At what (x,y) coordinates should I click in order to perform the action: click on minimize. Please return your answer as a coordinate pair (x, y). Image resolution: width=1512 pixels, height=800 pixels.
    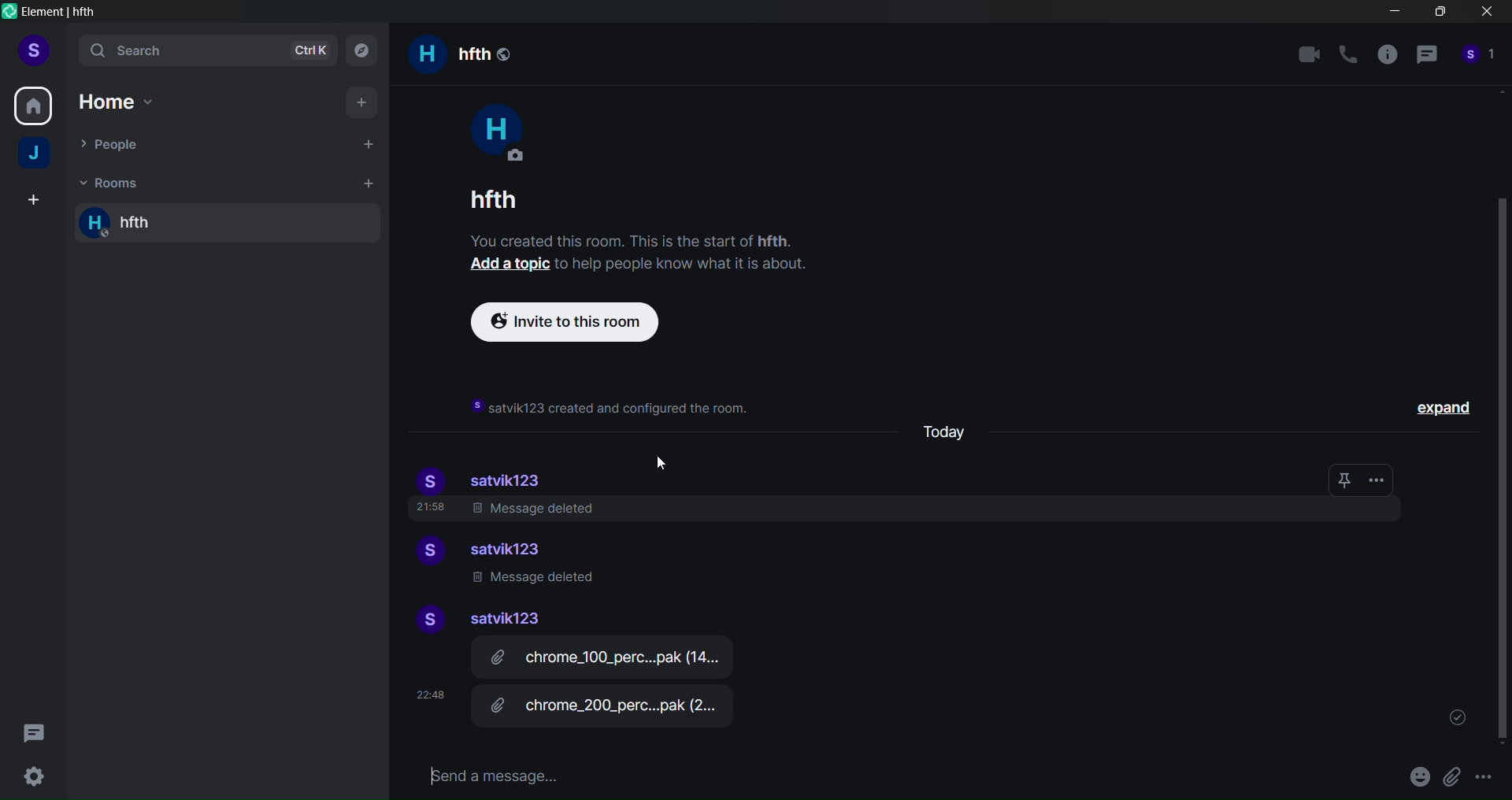
    Looking at the image, I should click on (1395, 14).